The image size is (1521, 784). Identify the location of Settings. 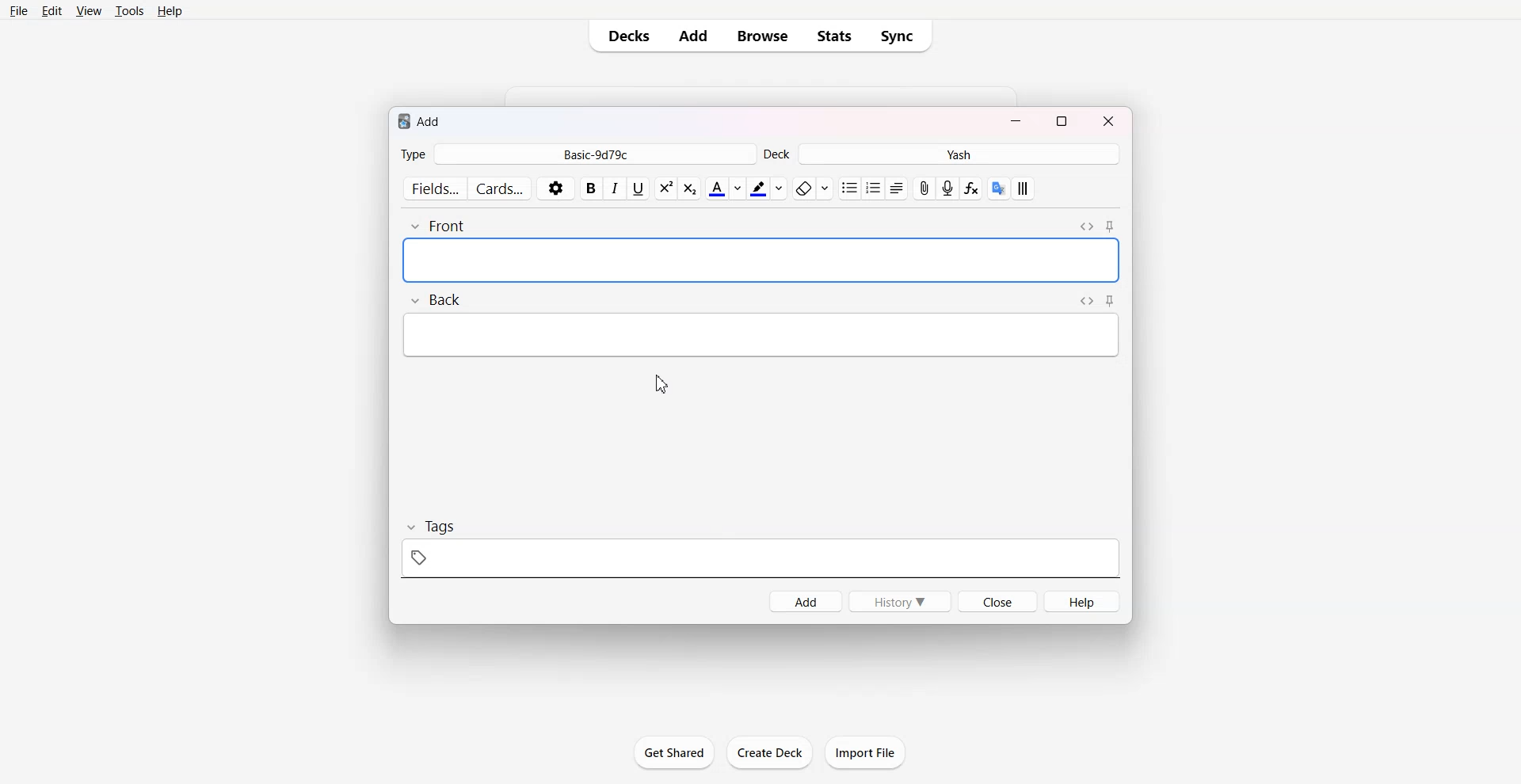
(556, 188).